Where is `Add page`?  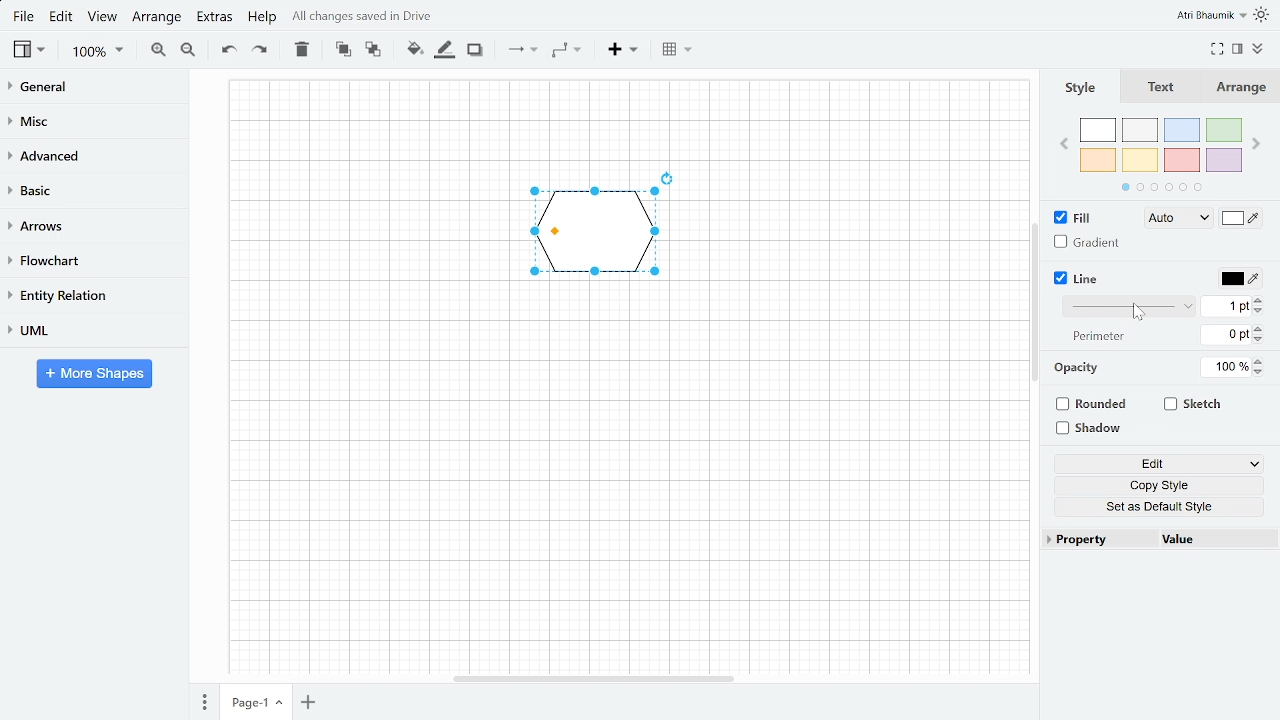
Add page is located at coordinates (307, 702).